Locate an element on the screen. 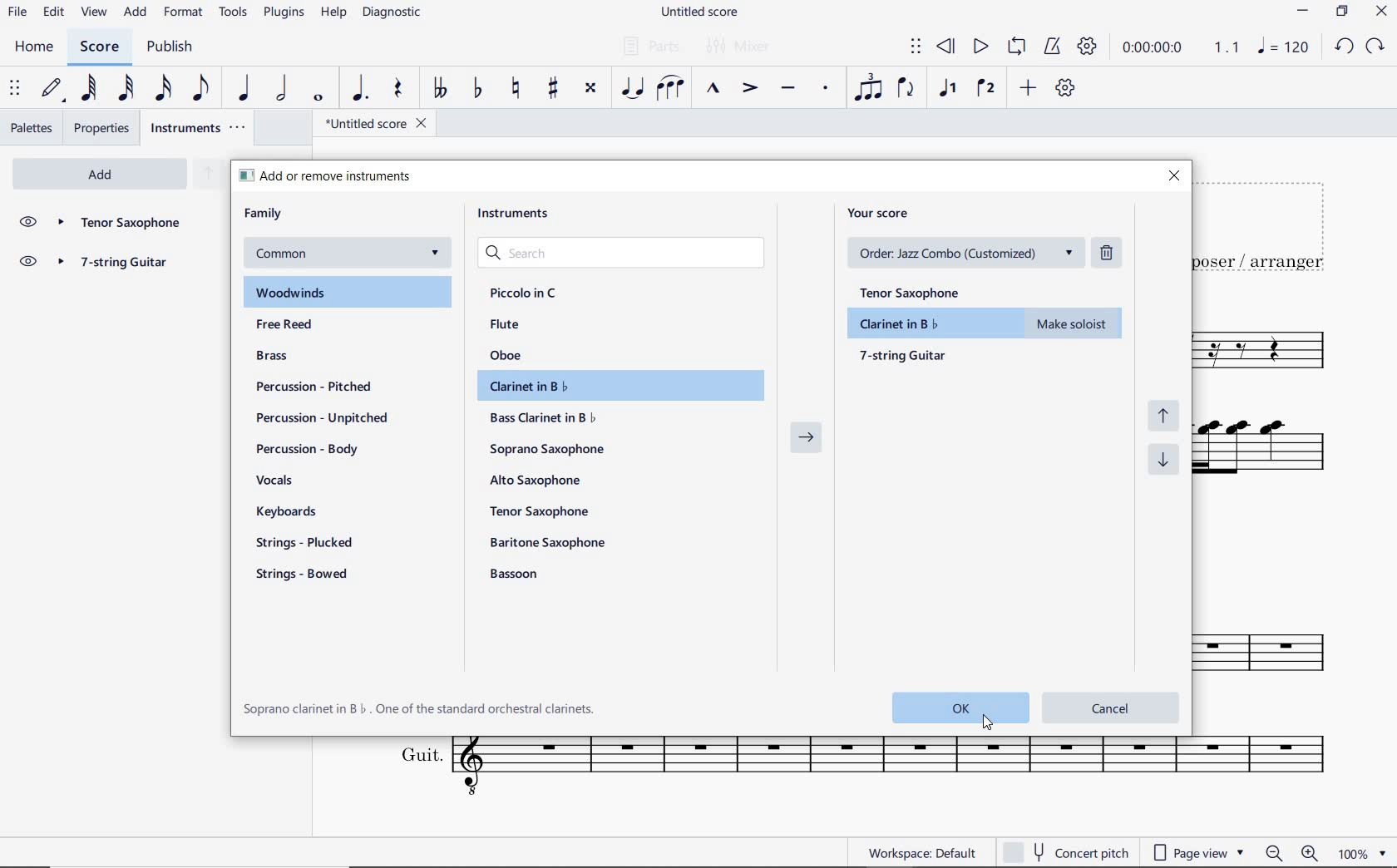  DEFAULT (STEP TIME) is located at coordinates (52, 90).